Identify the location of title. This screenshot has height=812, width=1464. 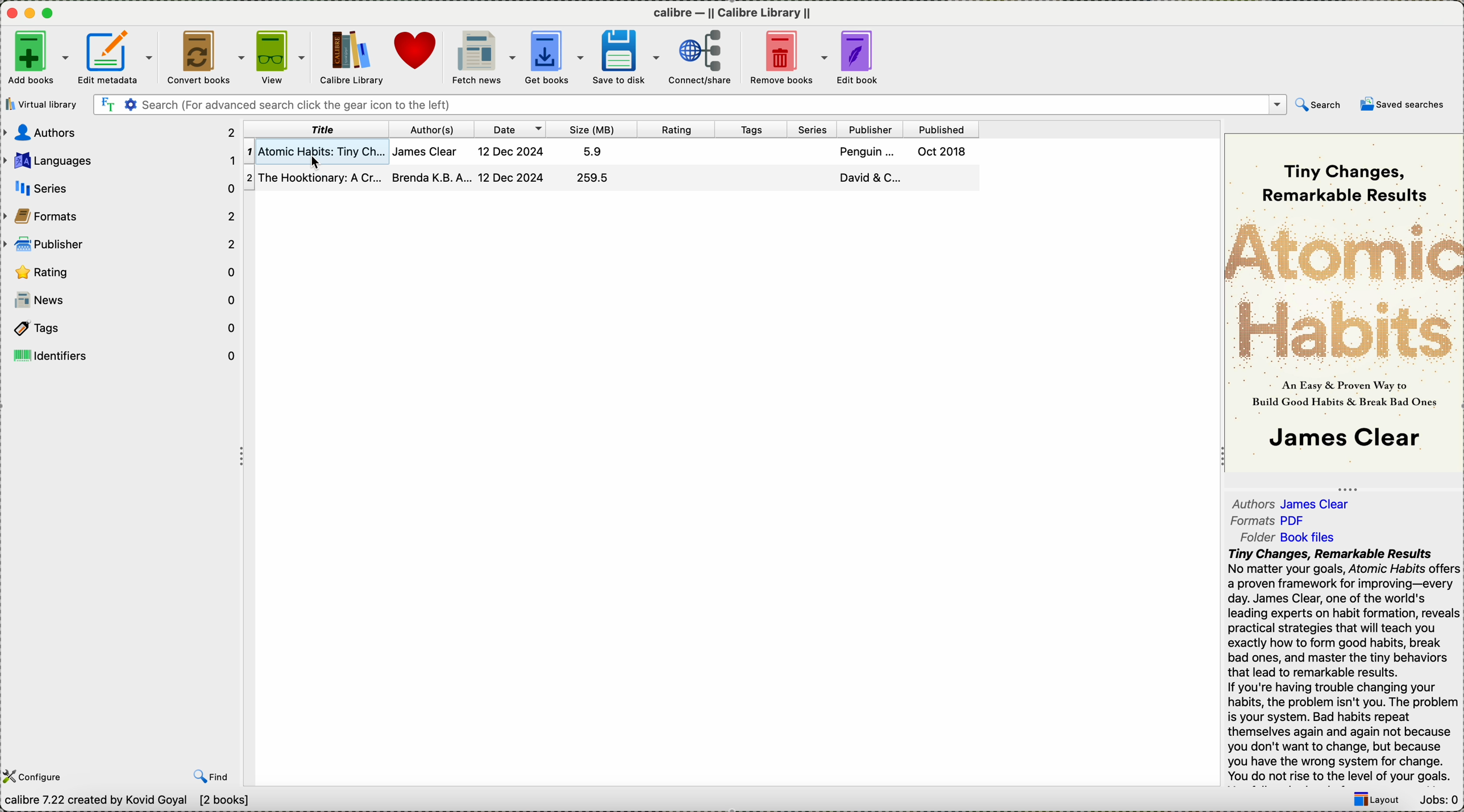
(317, 129).